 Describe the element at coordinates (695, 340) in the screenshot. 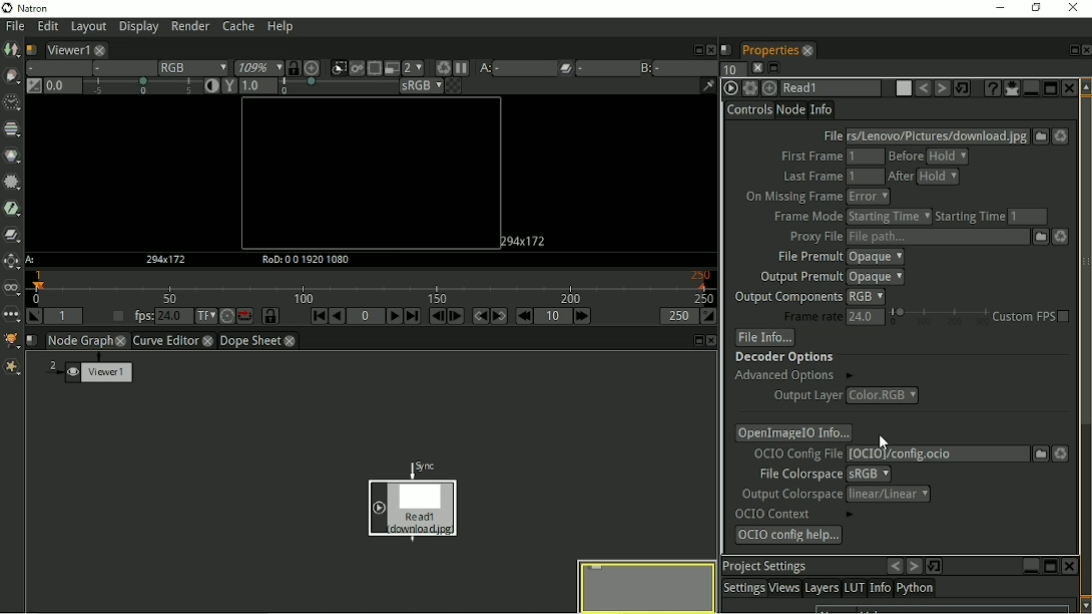

I see `minimize` at that location.